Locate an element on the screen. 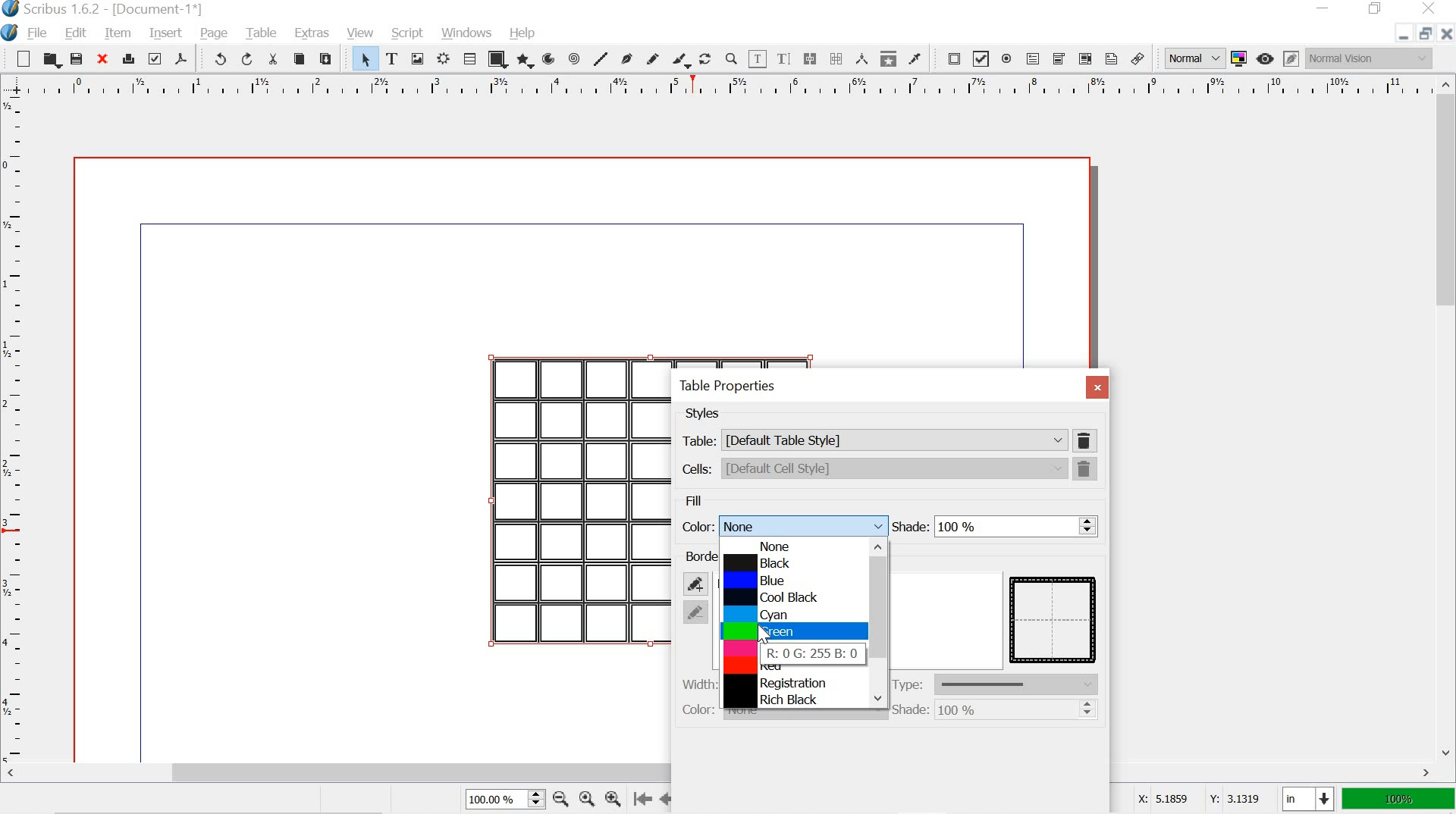 Image resolution: width=1456 pixels, height=814 pixels. pdf text field is located at coordinates (1032, 58).